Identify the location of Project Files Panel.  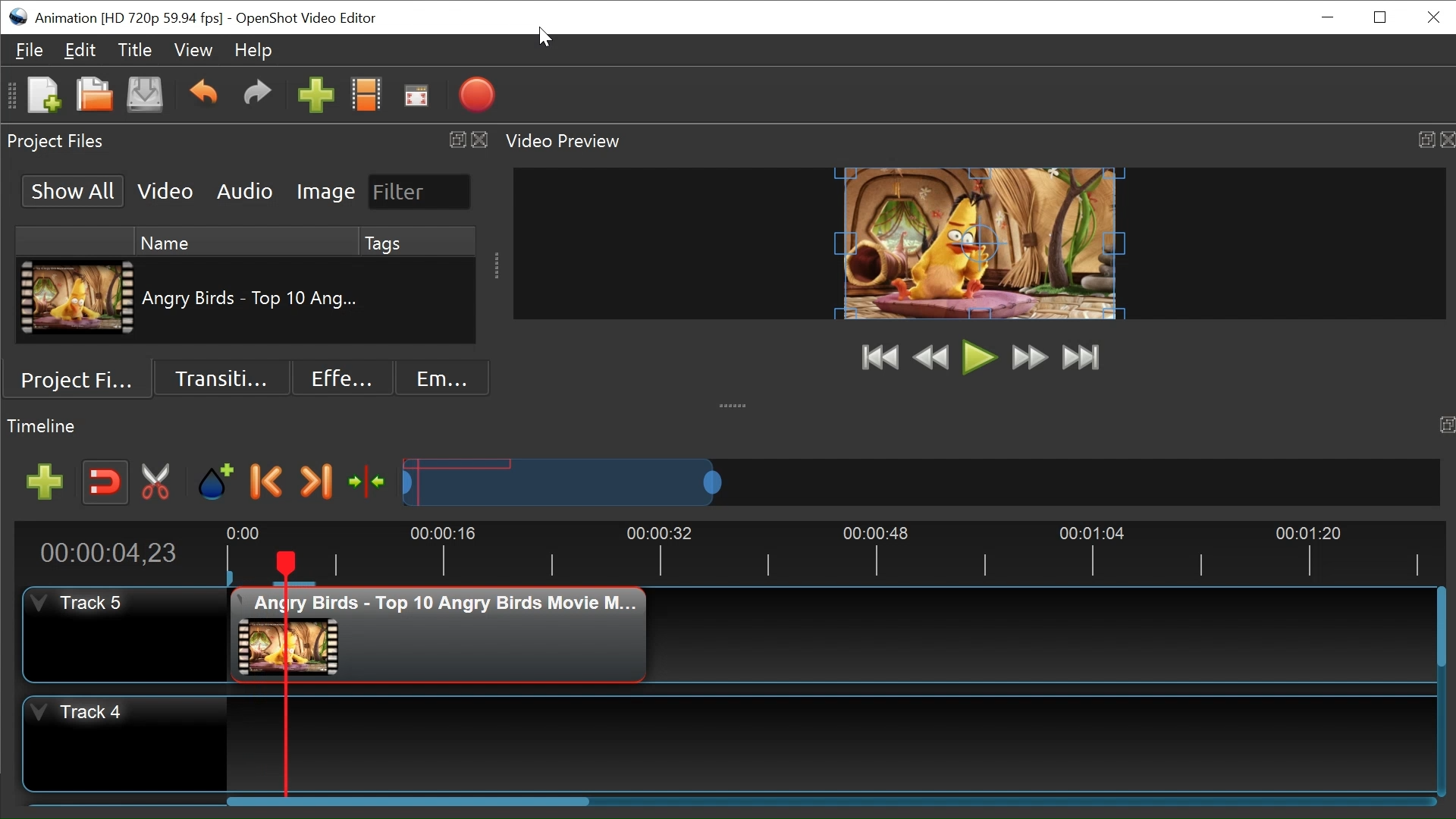
(246, 141).